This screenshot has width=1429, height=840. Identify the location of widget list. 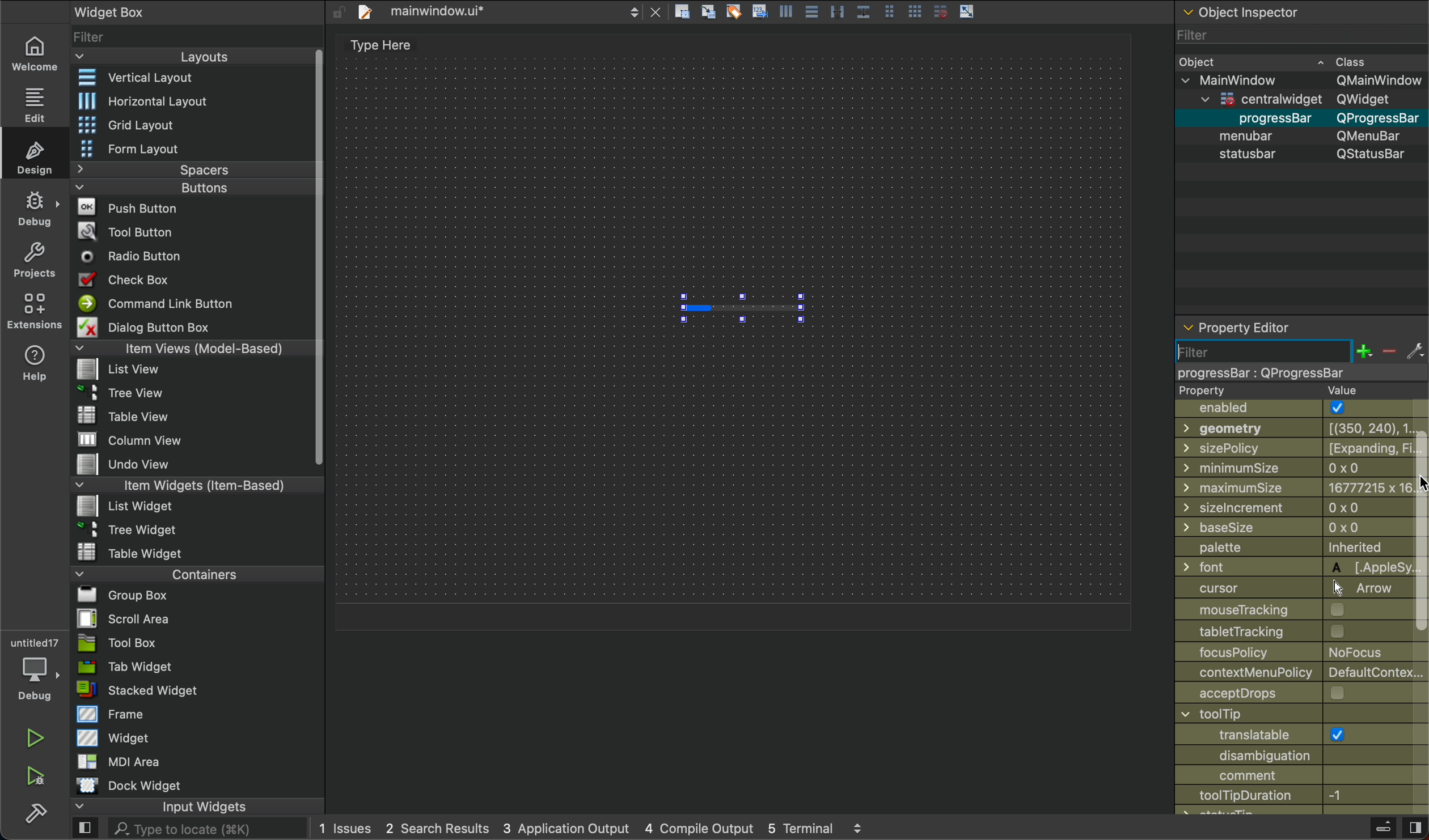
(191, 35).